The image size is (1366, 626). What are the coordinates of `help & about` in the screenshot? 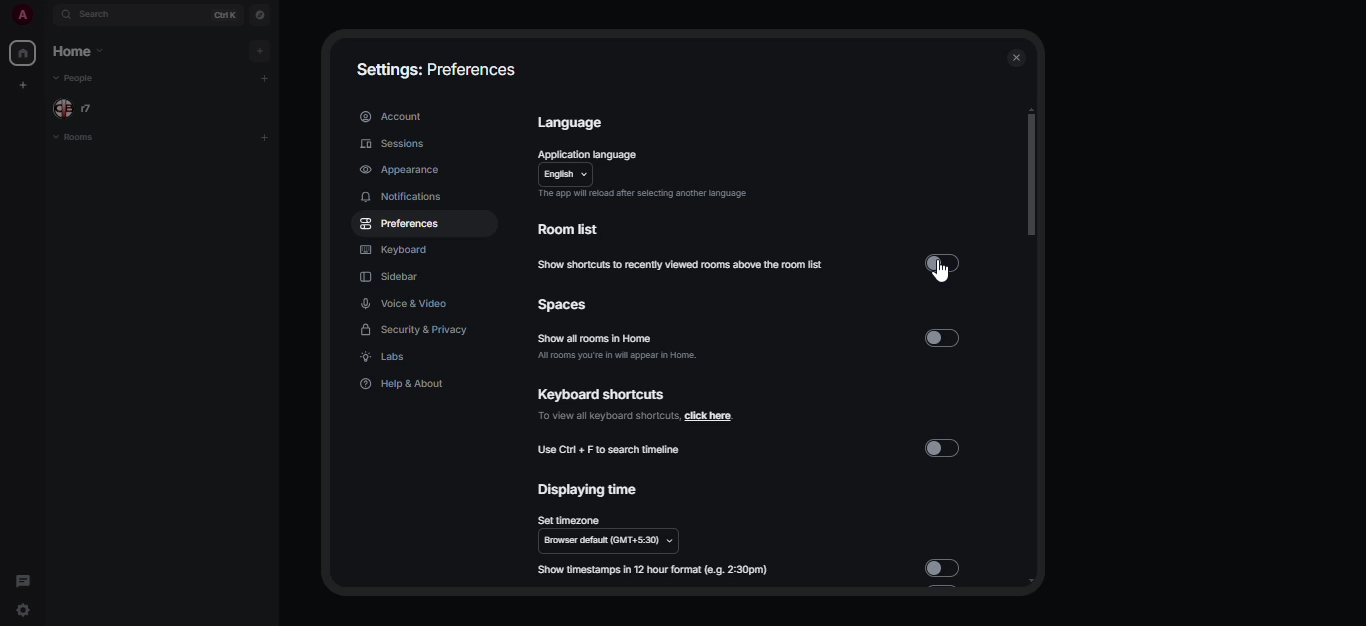 It's located at (408, 383).